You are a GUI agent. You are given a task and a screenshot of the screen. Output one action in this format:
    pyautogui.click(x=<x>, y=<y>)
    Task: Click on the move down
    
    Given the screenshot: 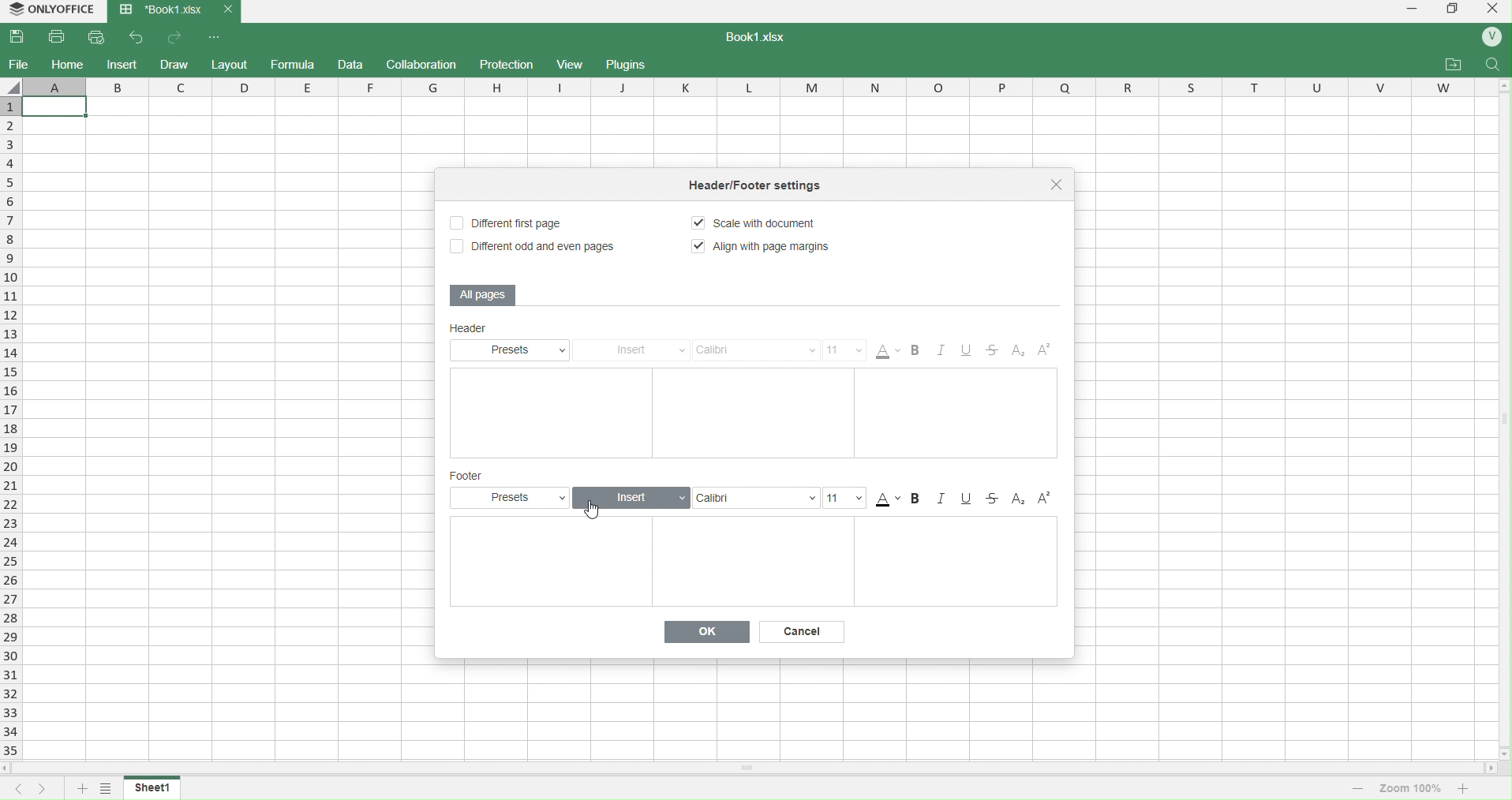 What is the action you would take?
    pyautogui.click(x=1503, y=753)
    